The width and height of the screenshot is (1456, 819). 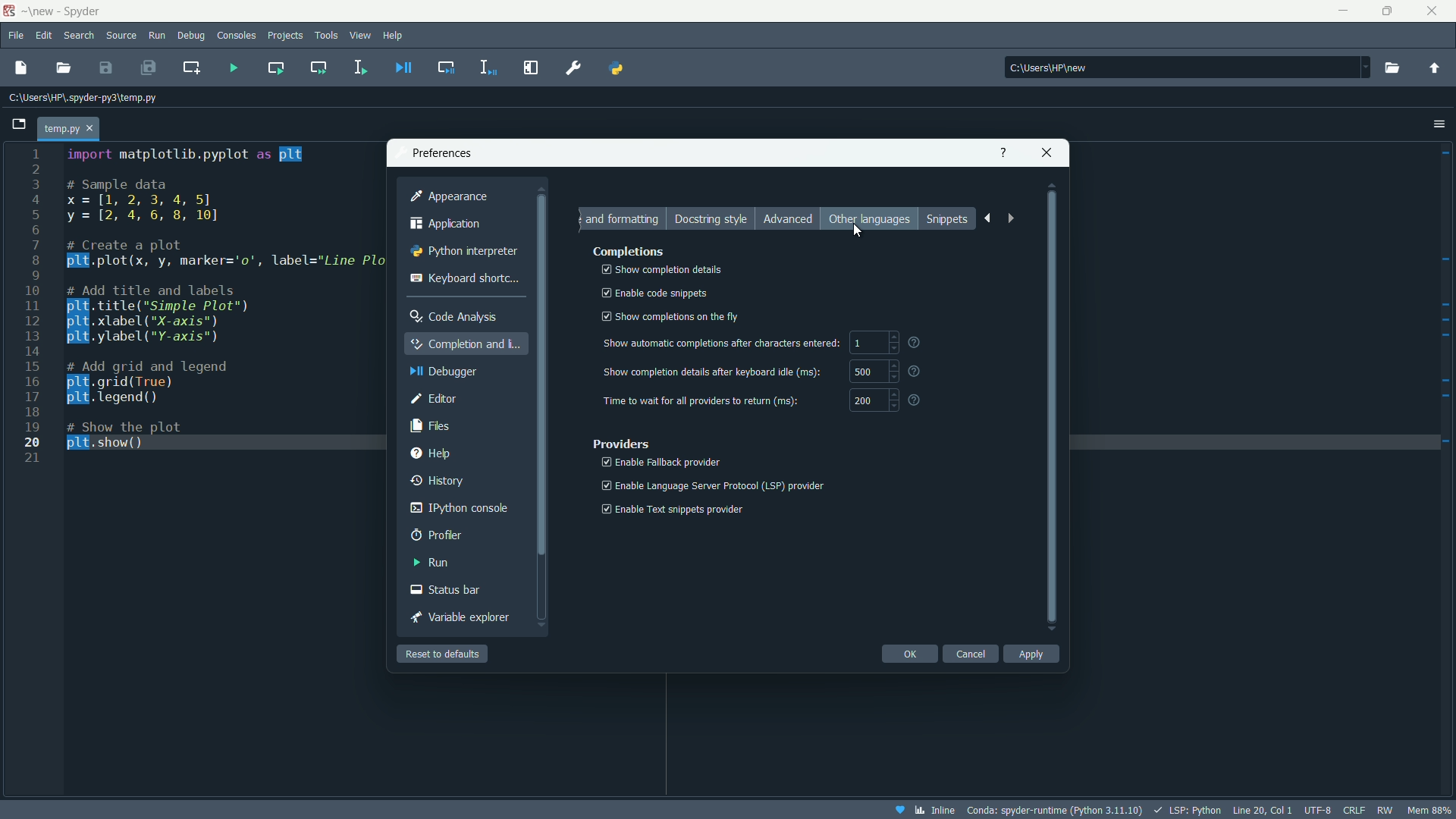 I want to click on reset to default, so click(x=443, y=654).